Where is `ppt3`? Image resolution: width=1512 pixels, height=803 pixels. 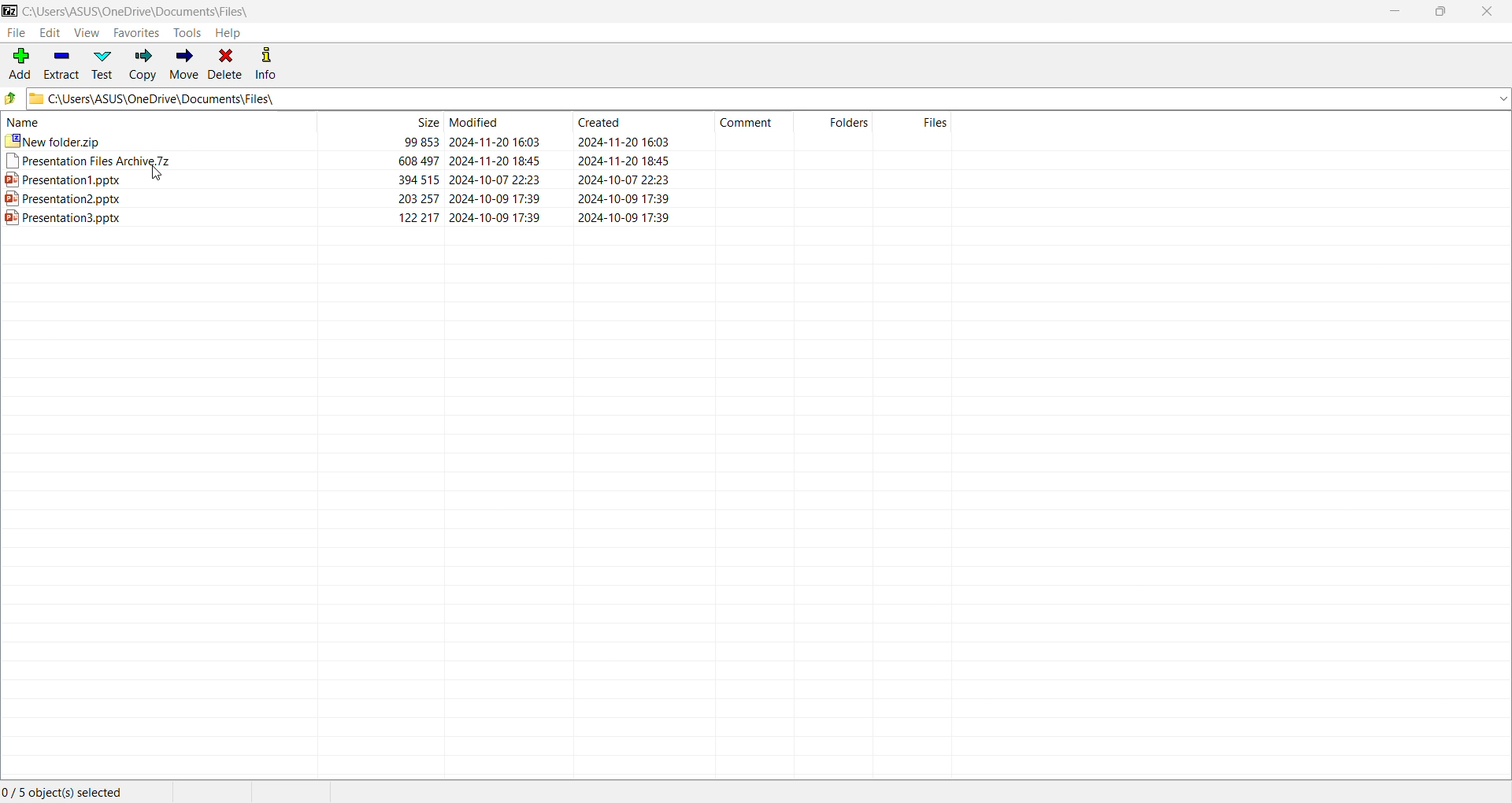 ppt3 is located at coordinates (478, 220).